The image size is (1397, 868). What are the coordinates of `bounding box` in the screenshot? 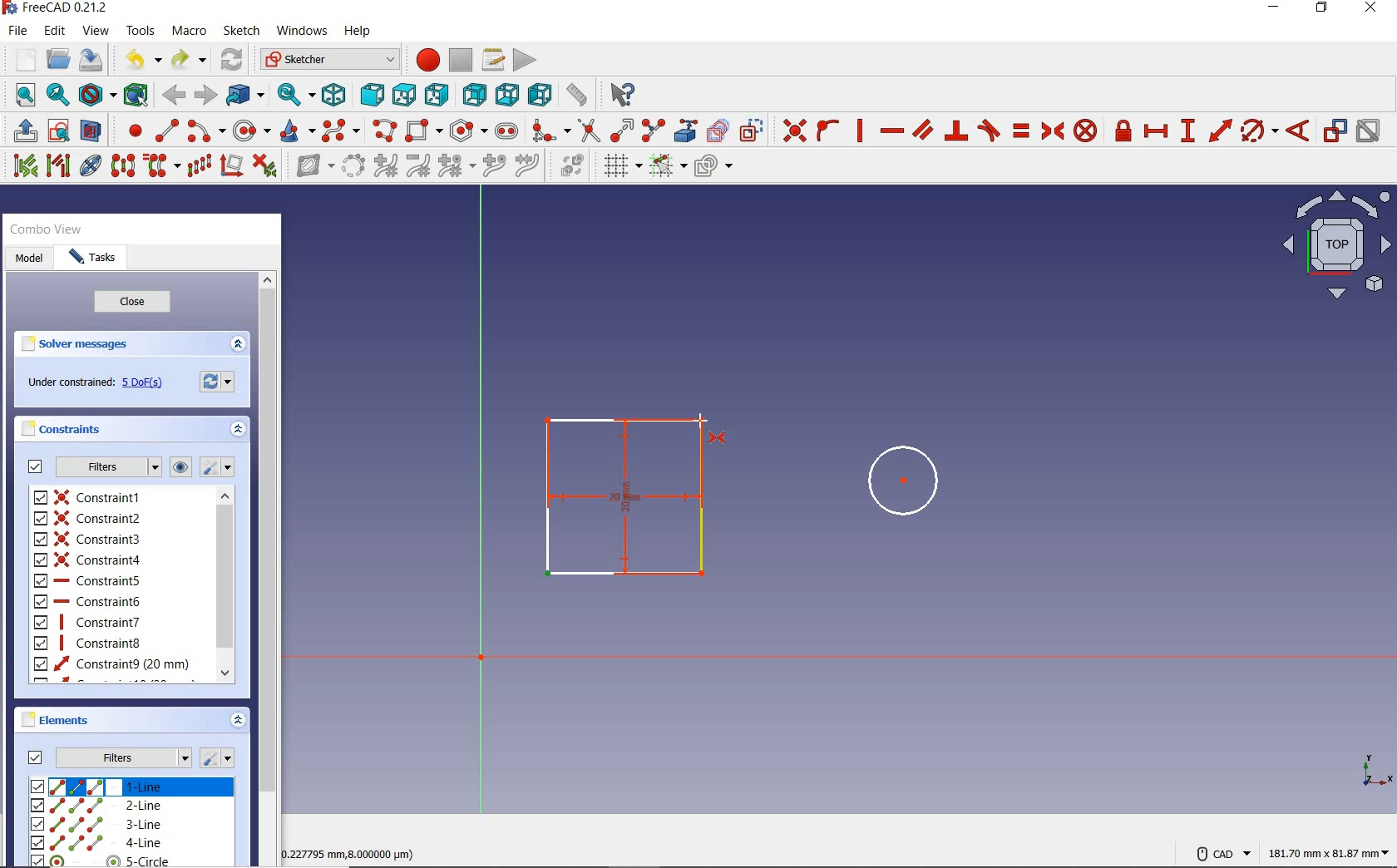 It's located at (135, 95).